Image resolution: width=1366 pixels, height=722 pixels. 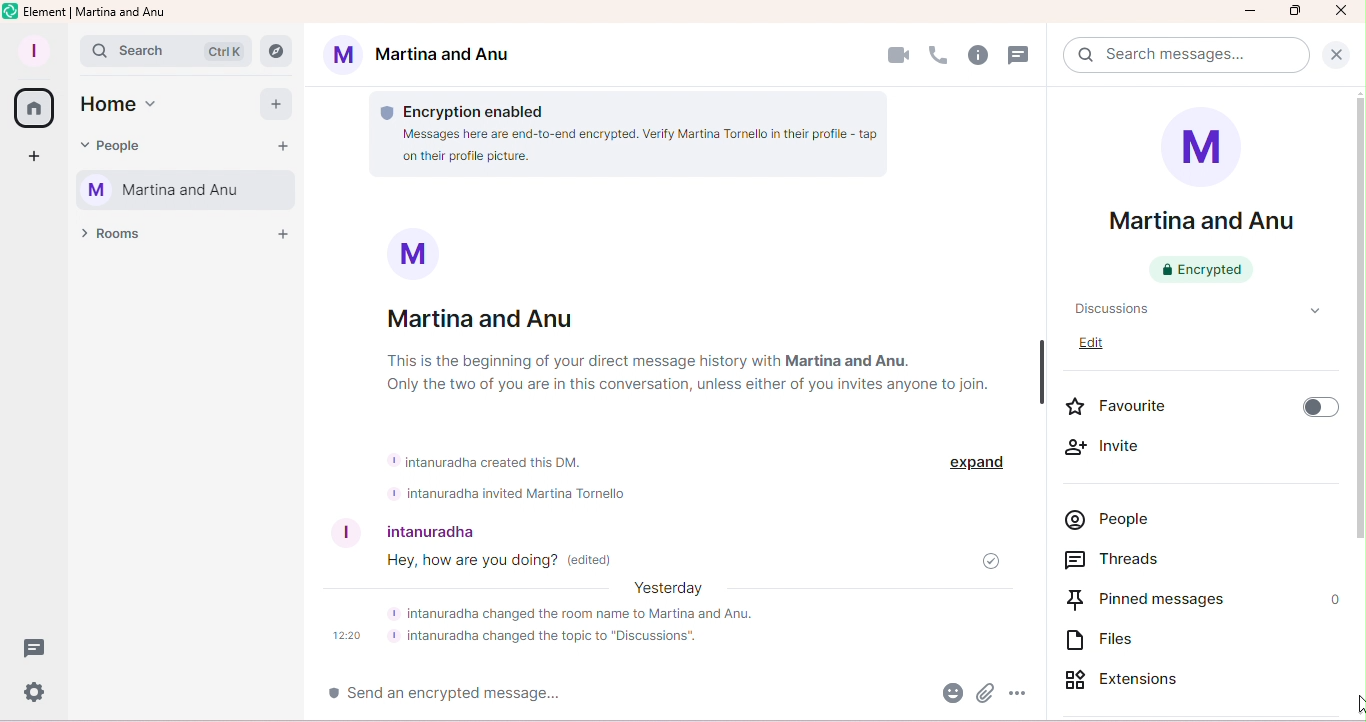 What do you see at coordinates (485, 317) in the screenshot?
I see `Martina and Anu` at bounding box center [485, 317].